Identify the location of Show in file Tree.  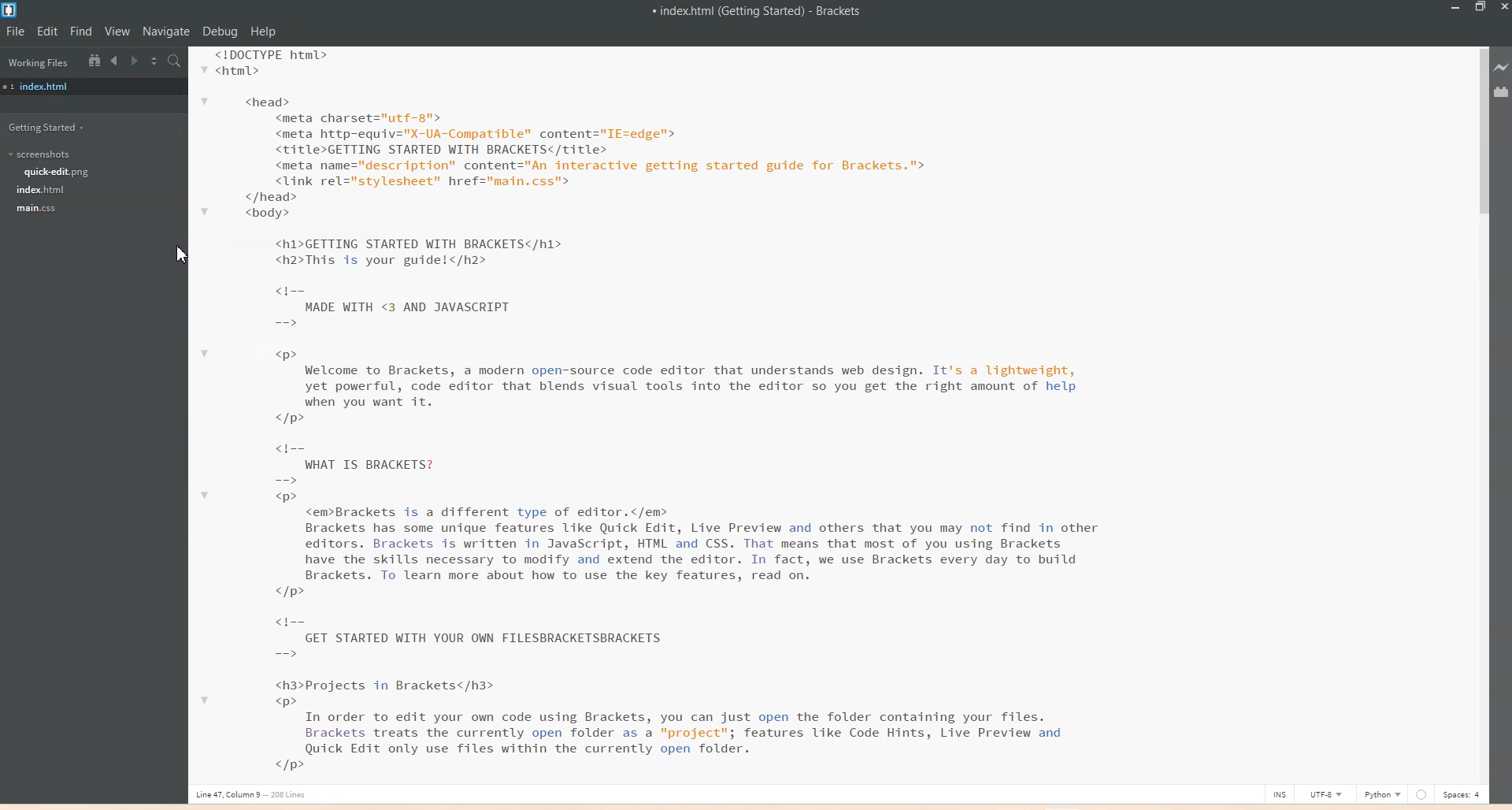
(94, 60).